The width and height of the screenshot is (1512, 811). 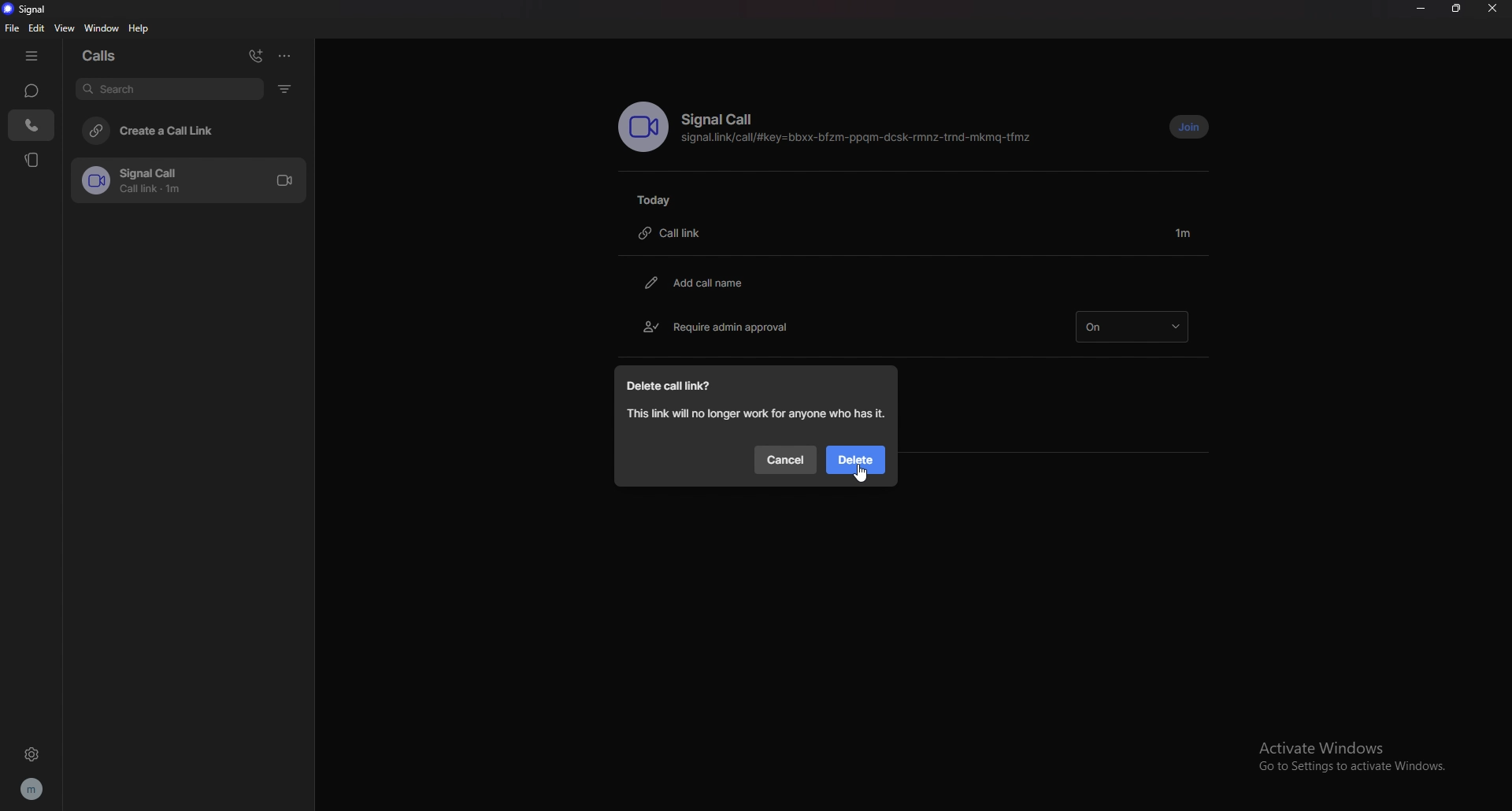 I want to click on cancel, so click(x=784, y=461).